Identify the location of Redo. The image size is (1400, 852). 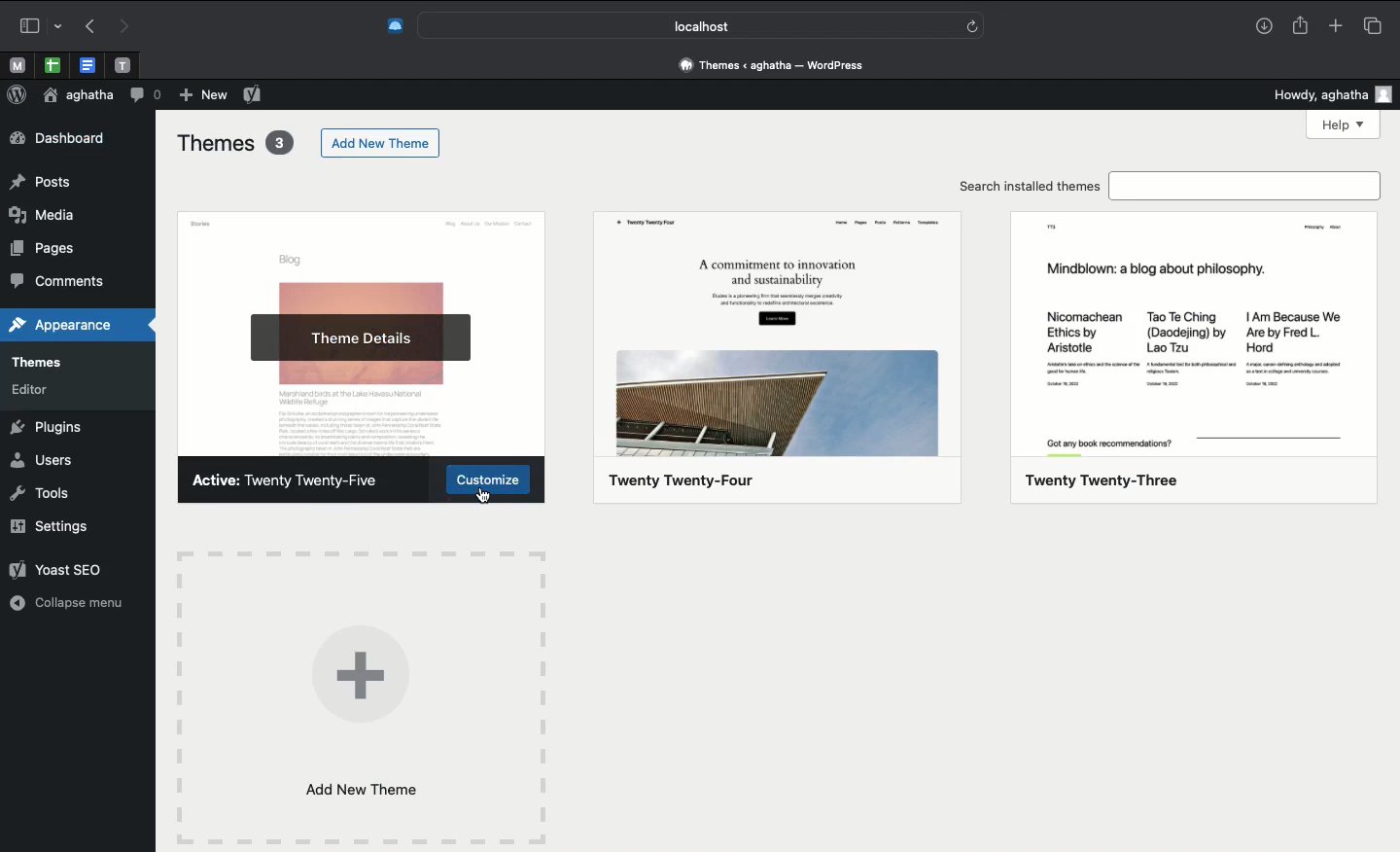
(122, 27).